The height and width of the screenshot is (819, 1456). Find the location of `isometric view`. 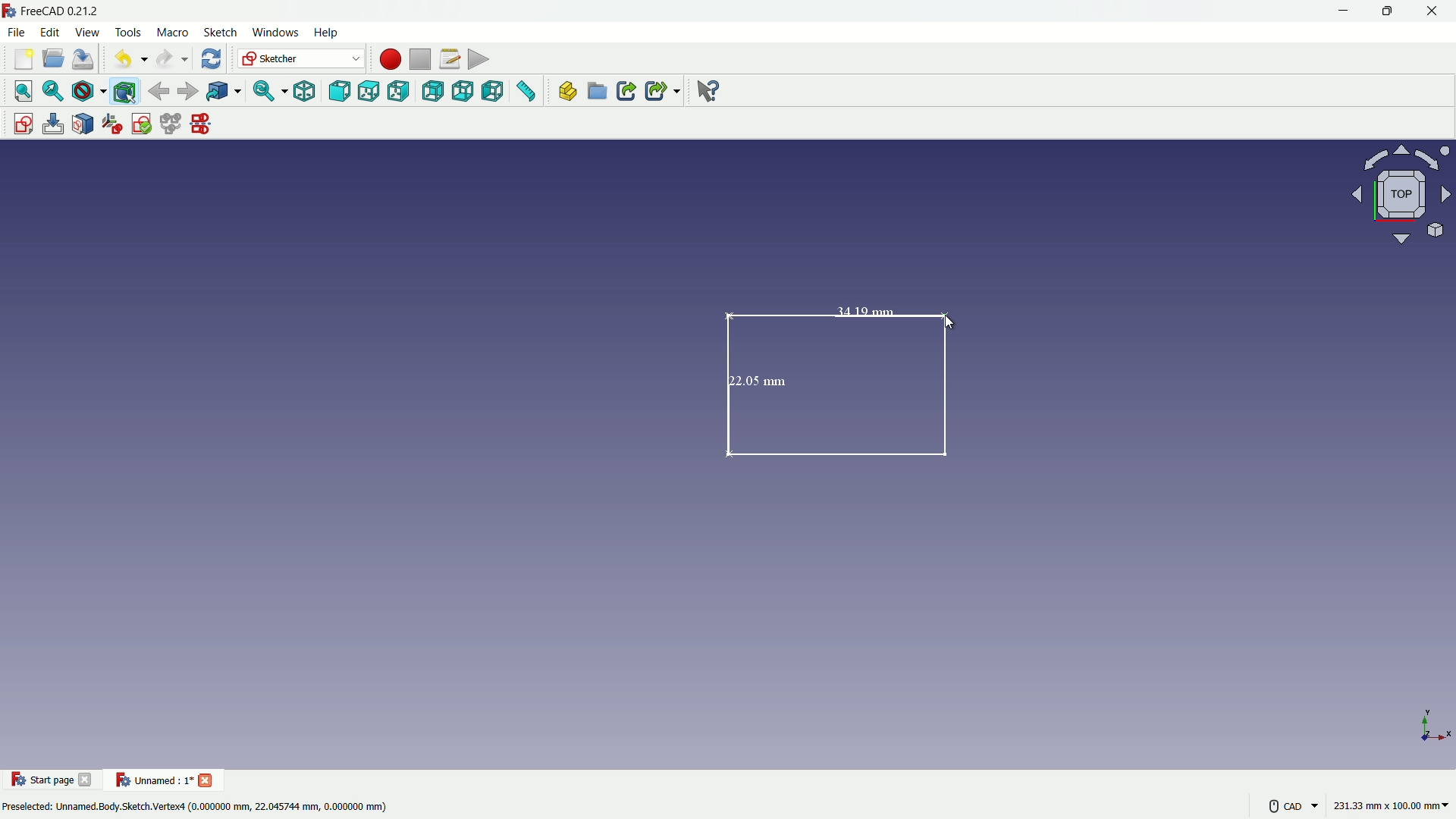

isometric view is located at coordinates (300, 91).